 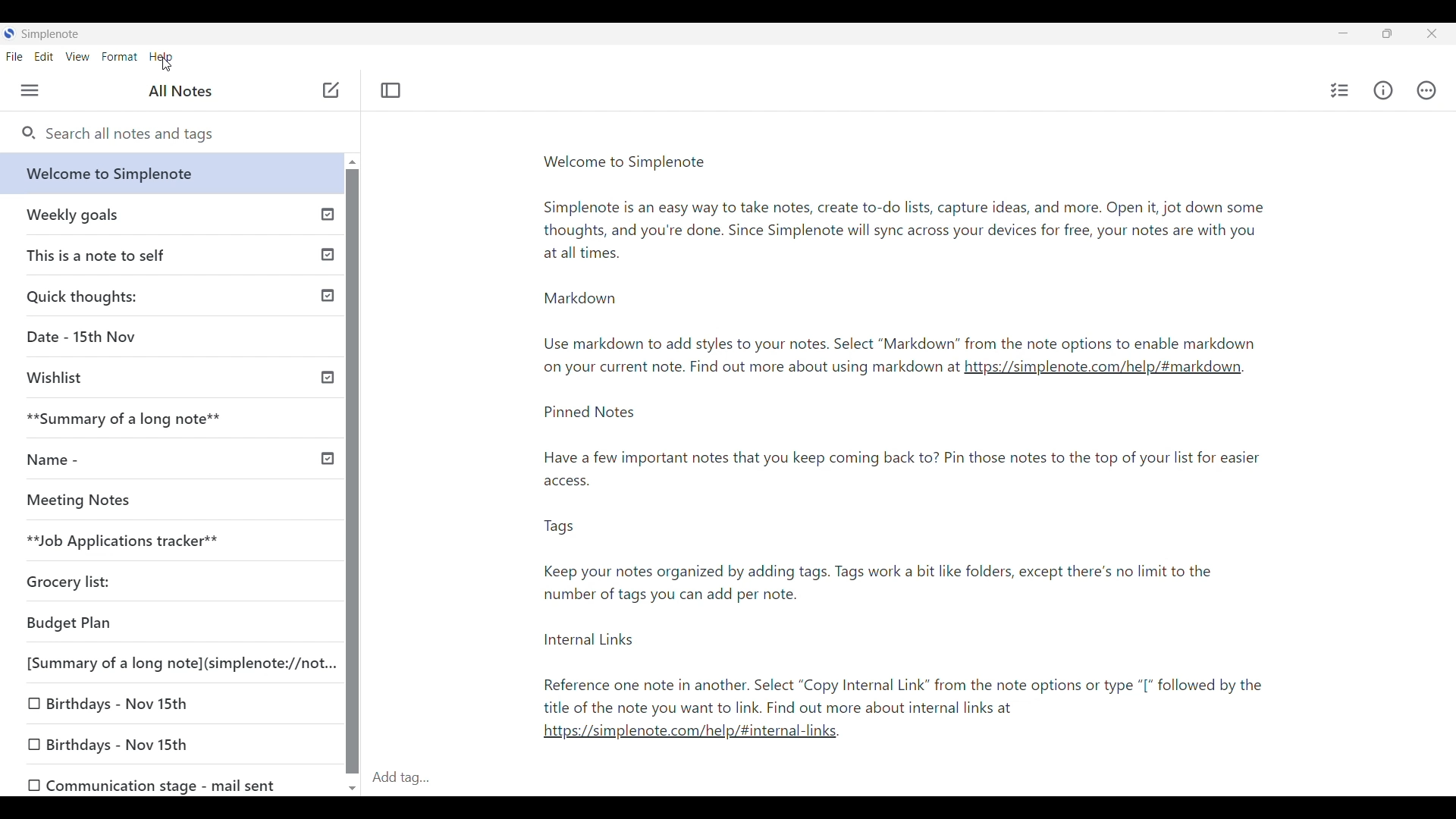 I want to click on Close interface, so click(x=1432, y=33).